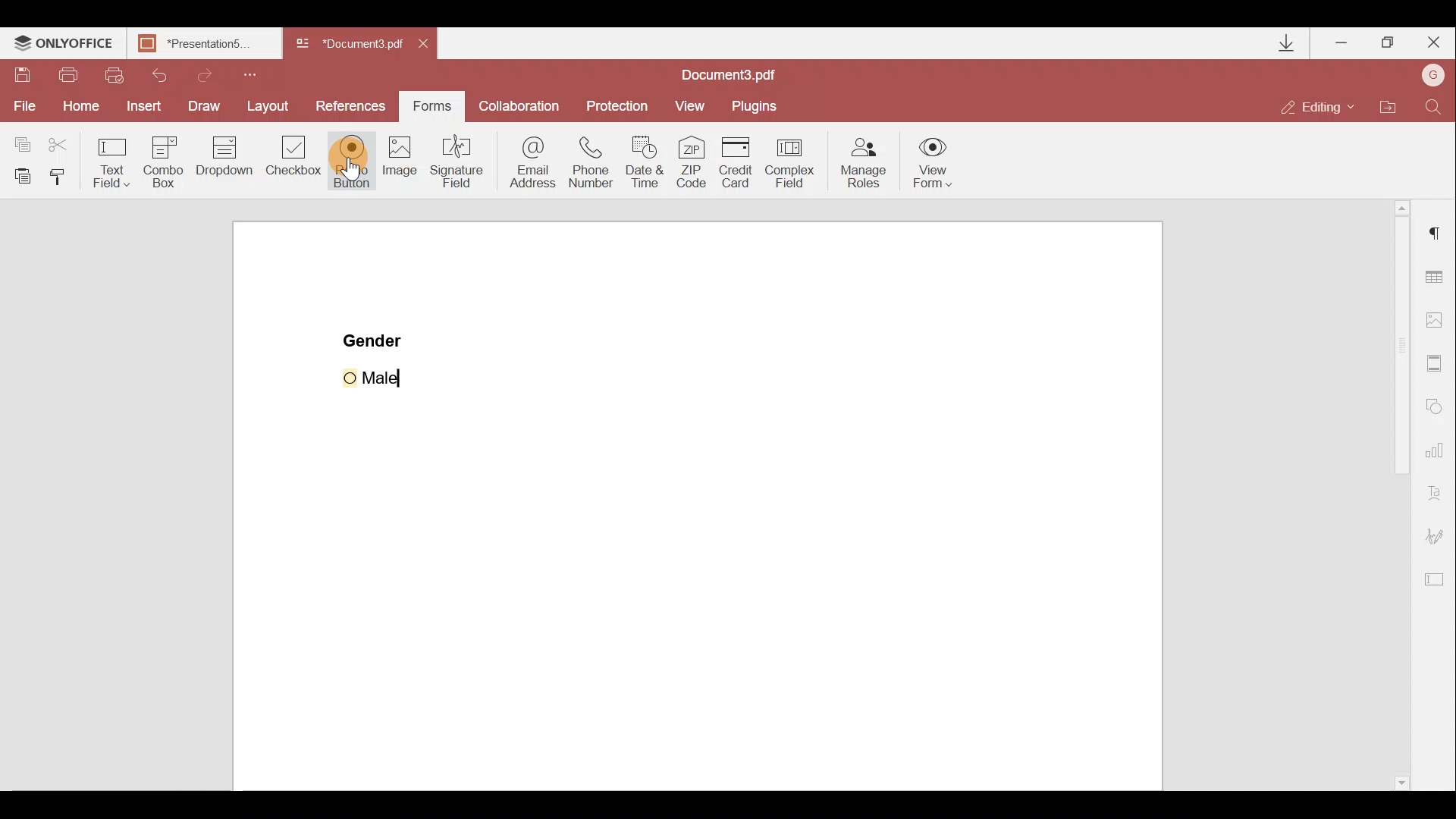 The height and width of the screenshot is (819, 1456). Describe the element at coordinates (650, 164) in the screenshot. I see `Date & time` at that location.